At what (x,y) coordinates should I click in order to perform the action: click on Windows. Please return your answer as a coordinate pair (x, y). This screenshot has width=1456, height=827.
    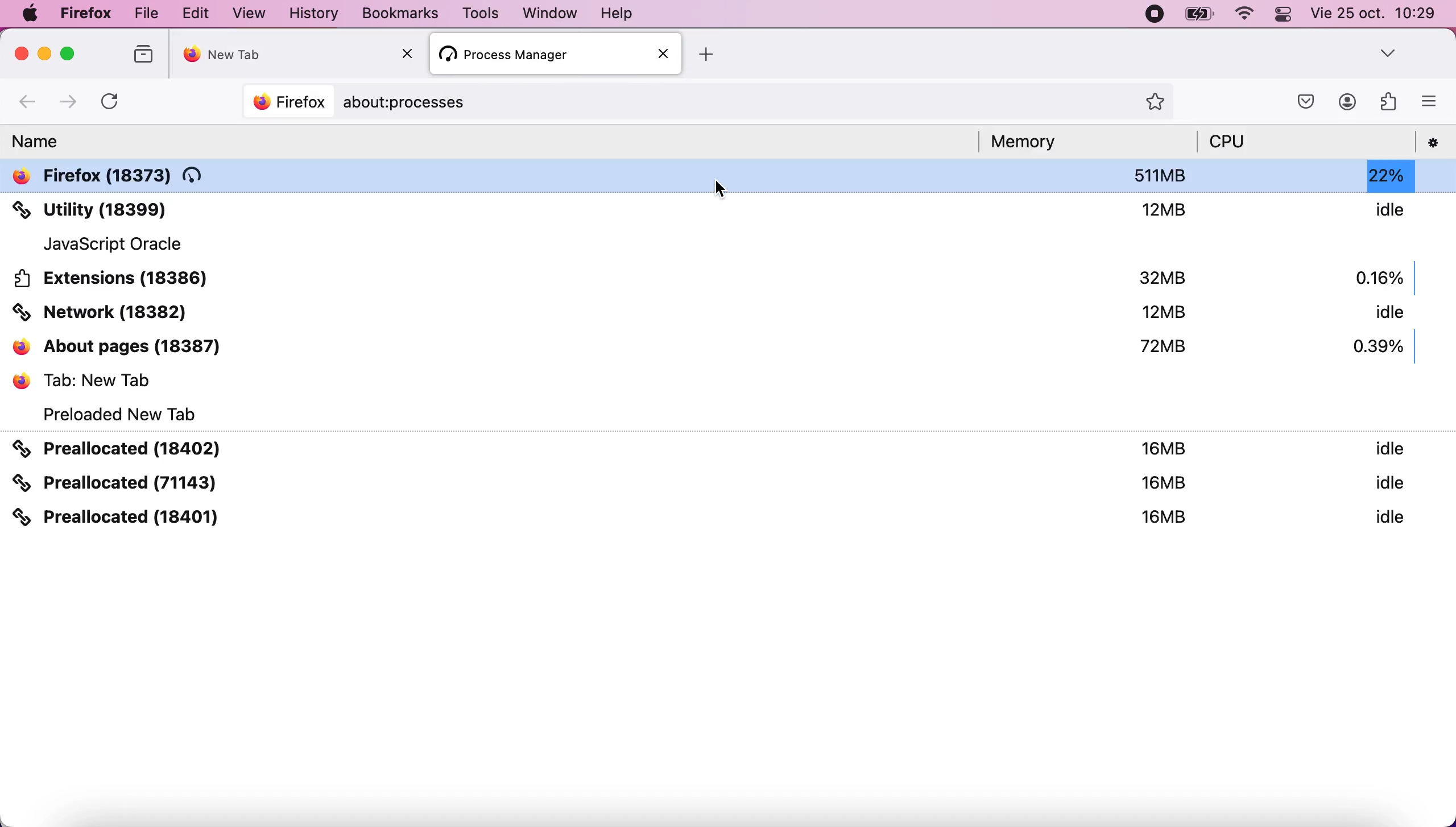
    Looking at the image, I should click on (552, 13).